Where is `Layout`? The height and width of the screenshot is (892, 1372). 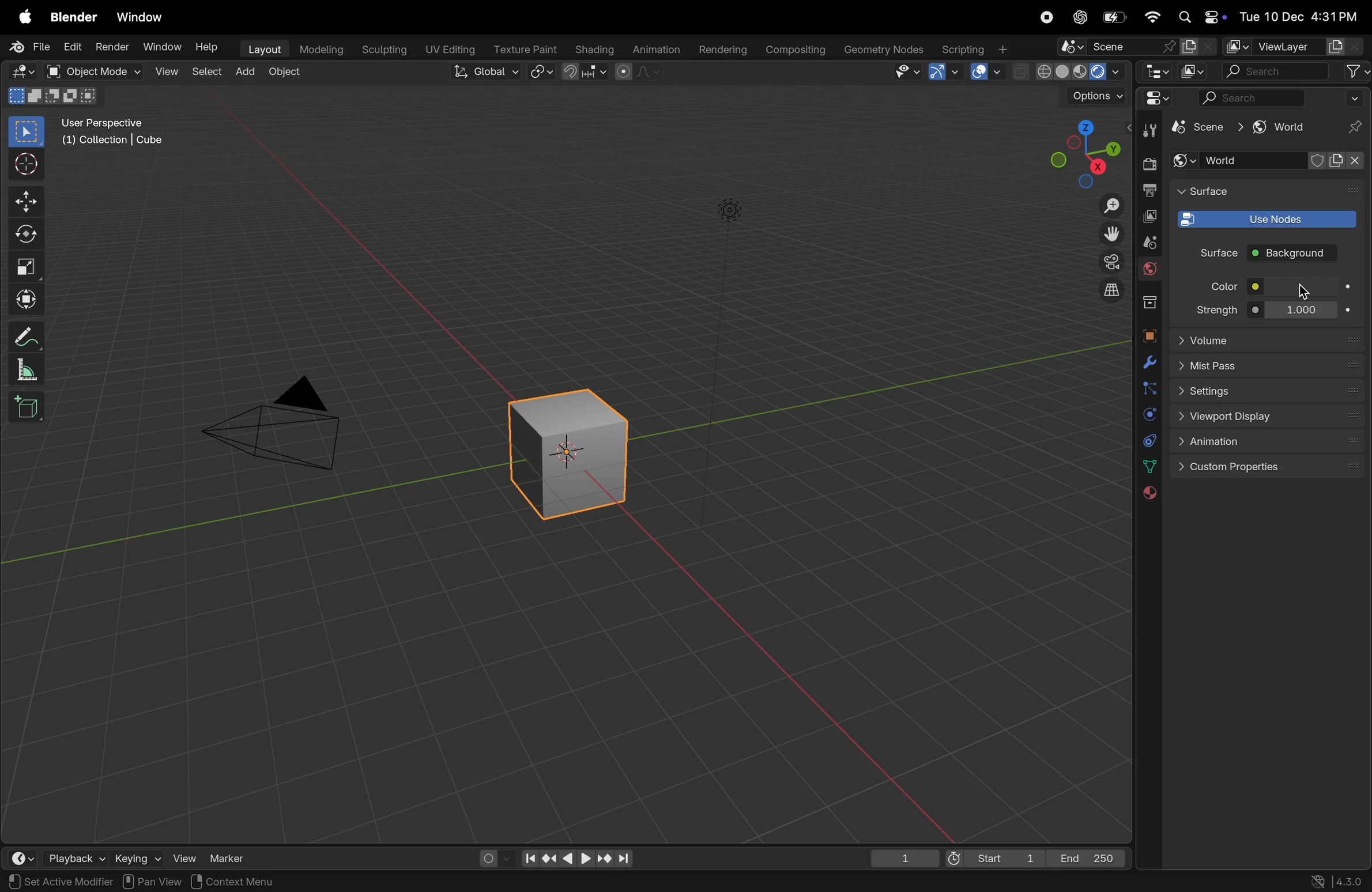 Layout is located at coordinates (262, 49).